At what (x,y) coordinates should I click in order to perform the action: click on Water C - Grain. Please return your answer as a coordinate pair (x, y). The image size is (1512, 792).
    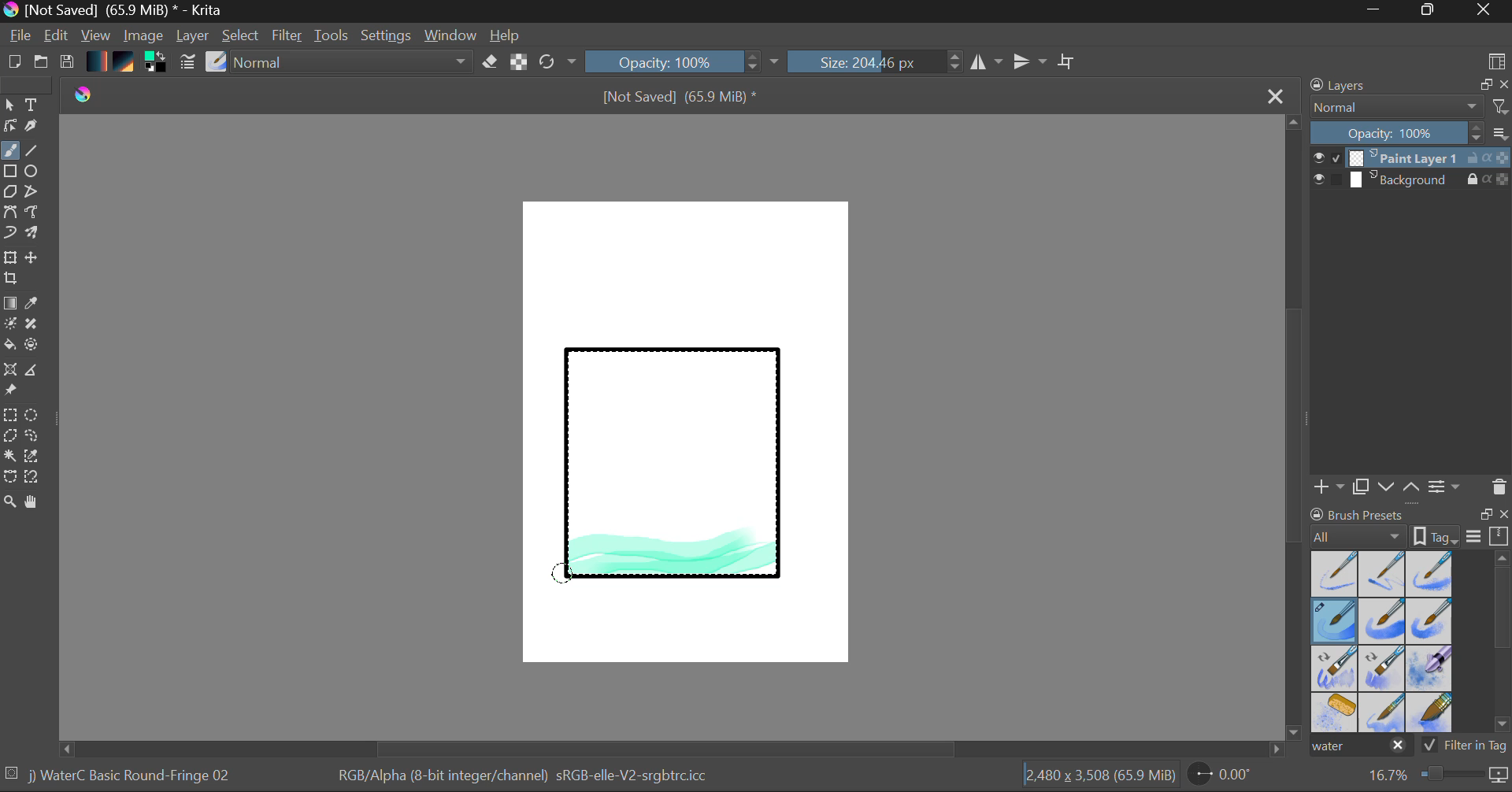
    Looking at the image, I should click on (1383, 622).